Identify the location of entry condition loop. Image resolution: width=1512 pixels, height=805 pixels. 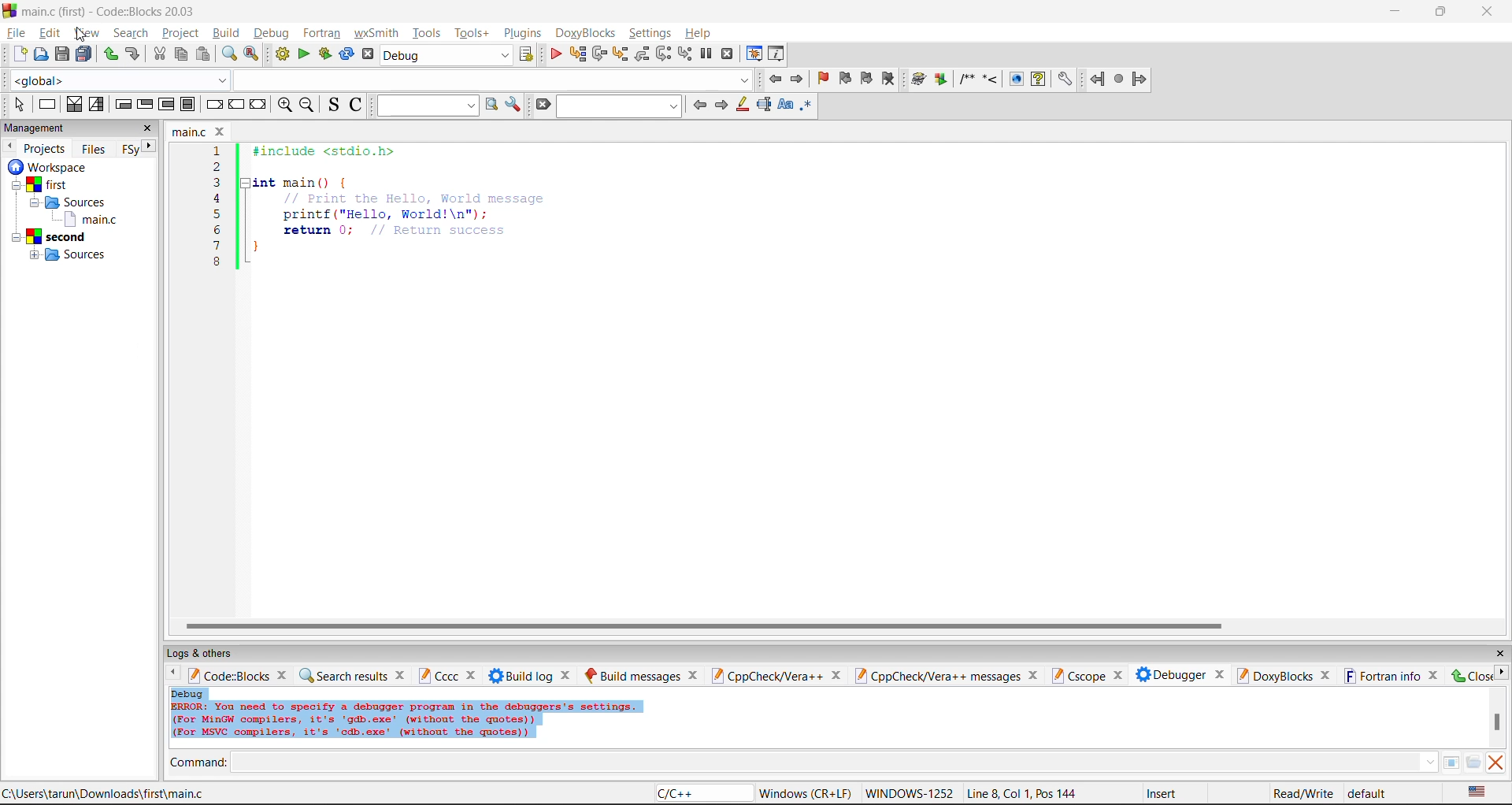
(122, 104).